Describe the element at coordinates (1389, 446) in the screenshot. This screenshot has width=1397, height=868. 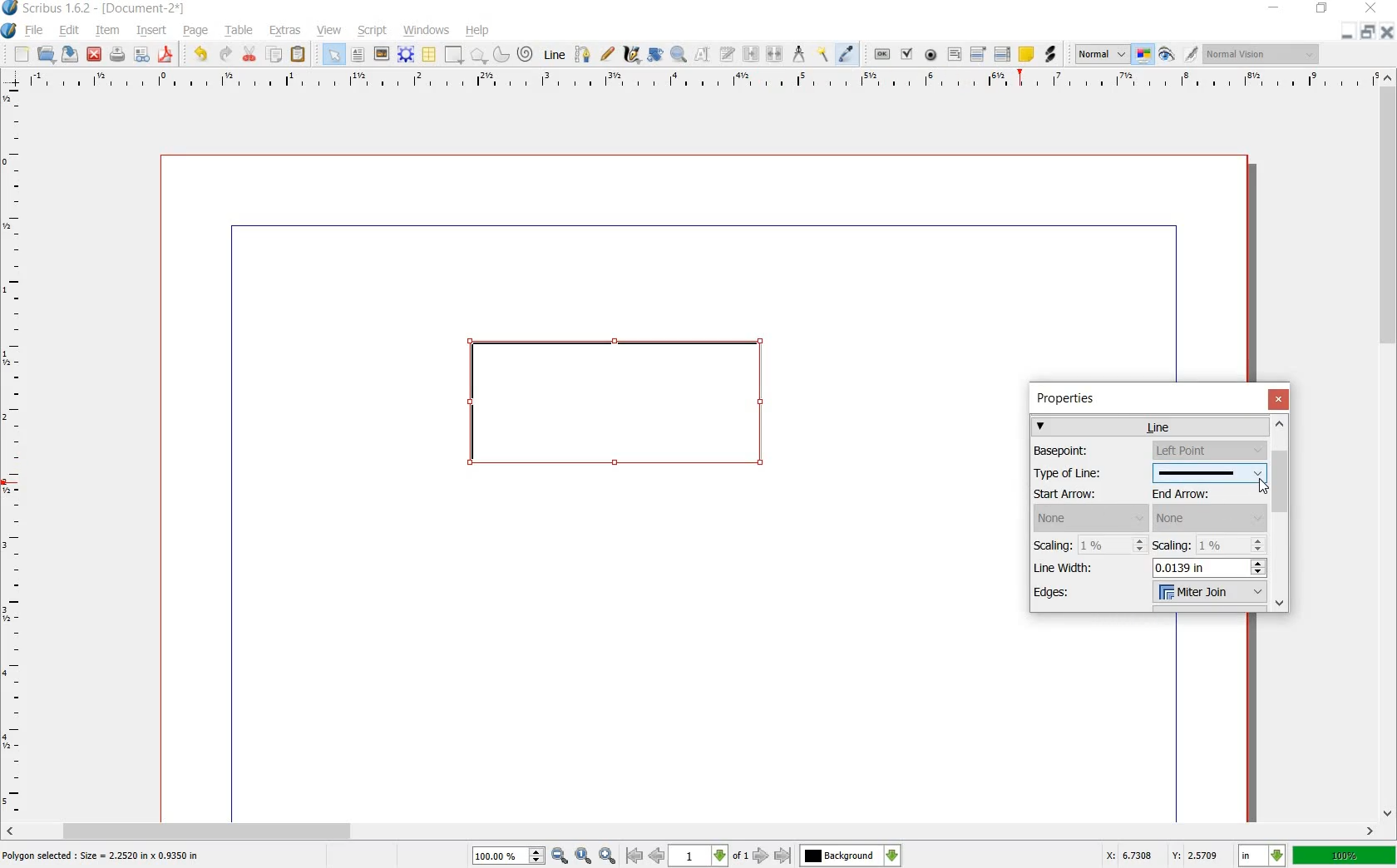
I see `SCROLLBAR` at that location.